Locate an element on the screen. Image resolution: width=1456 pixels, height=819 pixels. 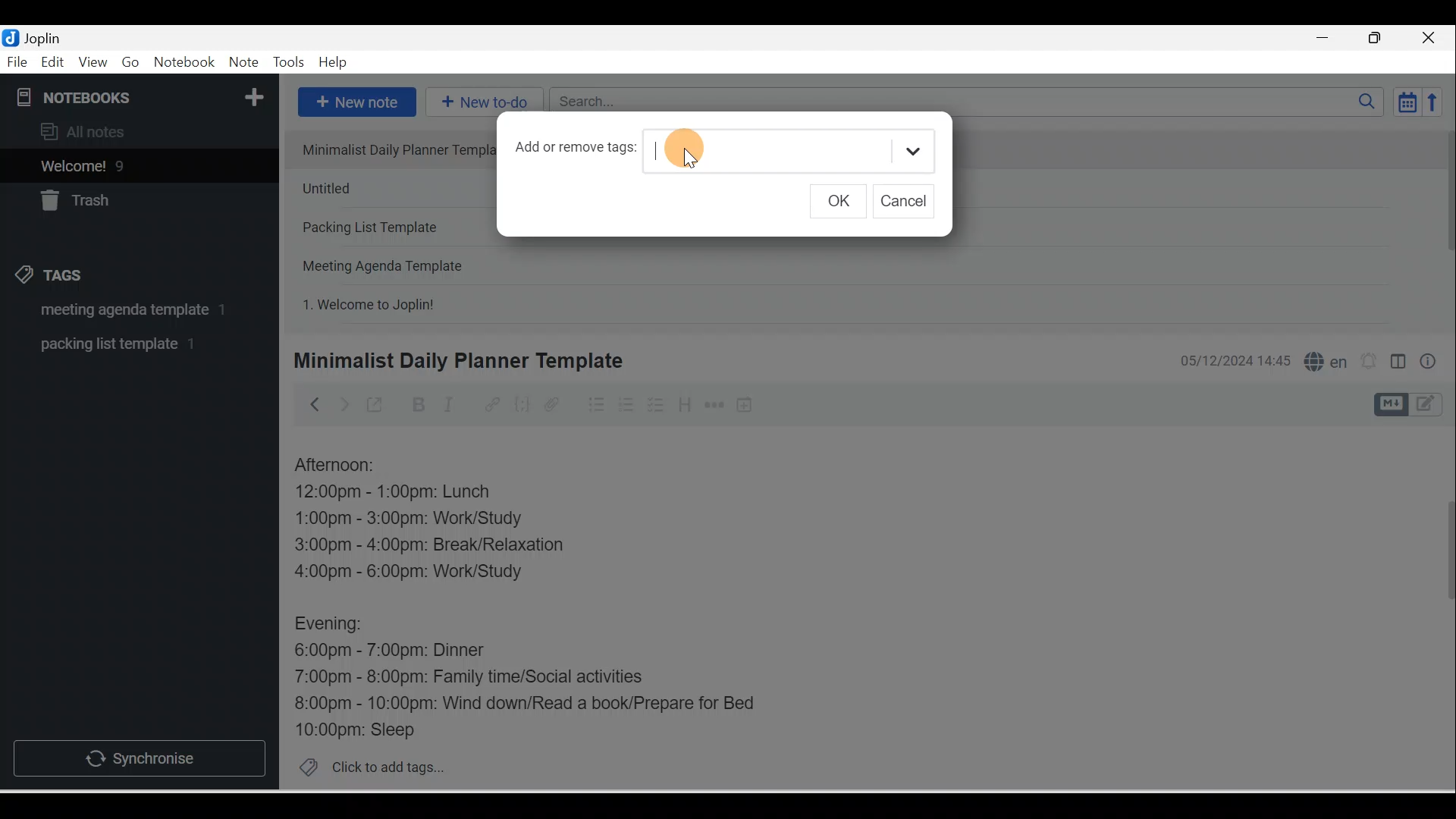
Go is located at coordinates (133, 63).